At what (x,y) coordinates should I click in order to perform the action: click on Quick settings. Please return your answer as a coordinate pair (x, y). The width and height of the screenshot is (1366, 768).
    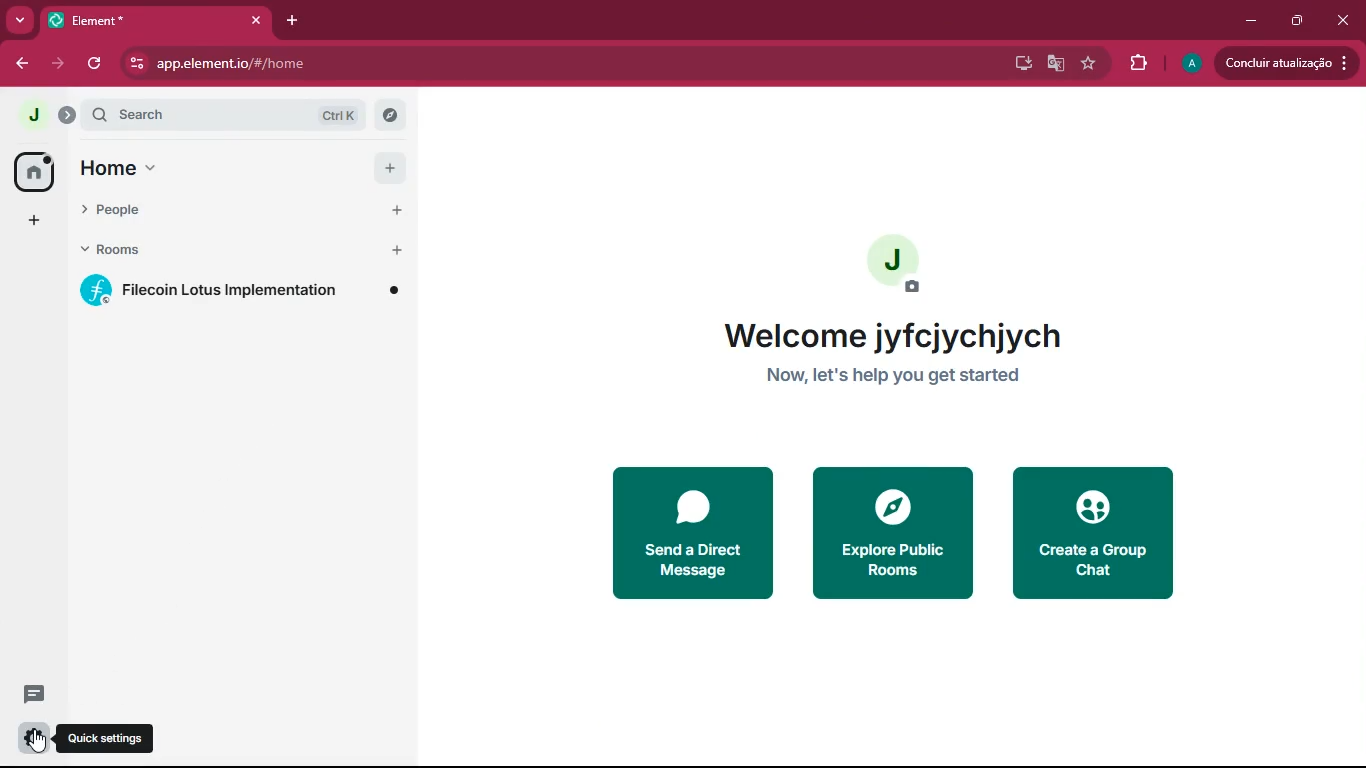
    Looking at the image, I should click on (106, 739).